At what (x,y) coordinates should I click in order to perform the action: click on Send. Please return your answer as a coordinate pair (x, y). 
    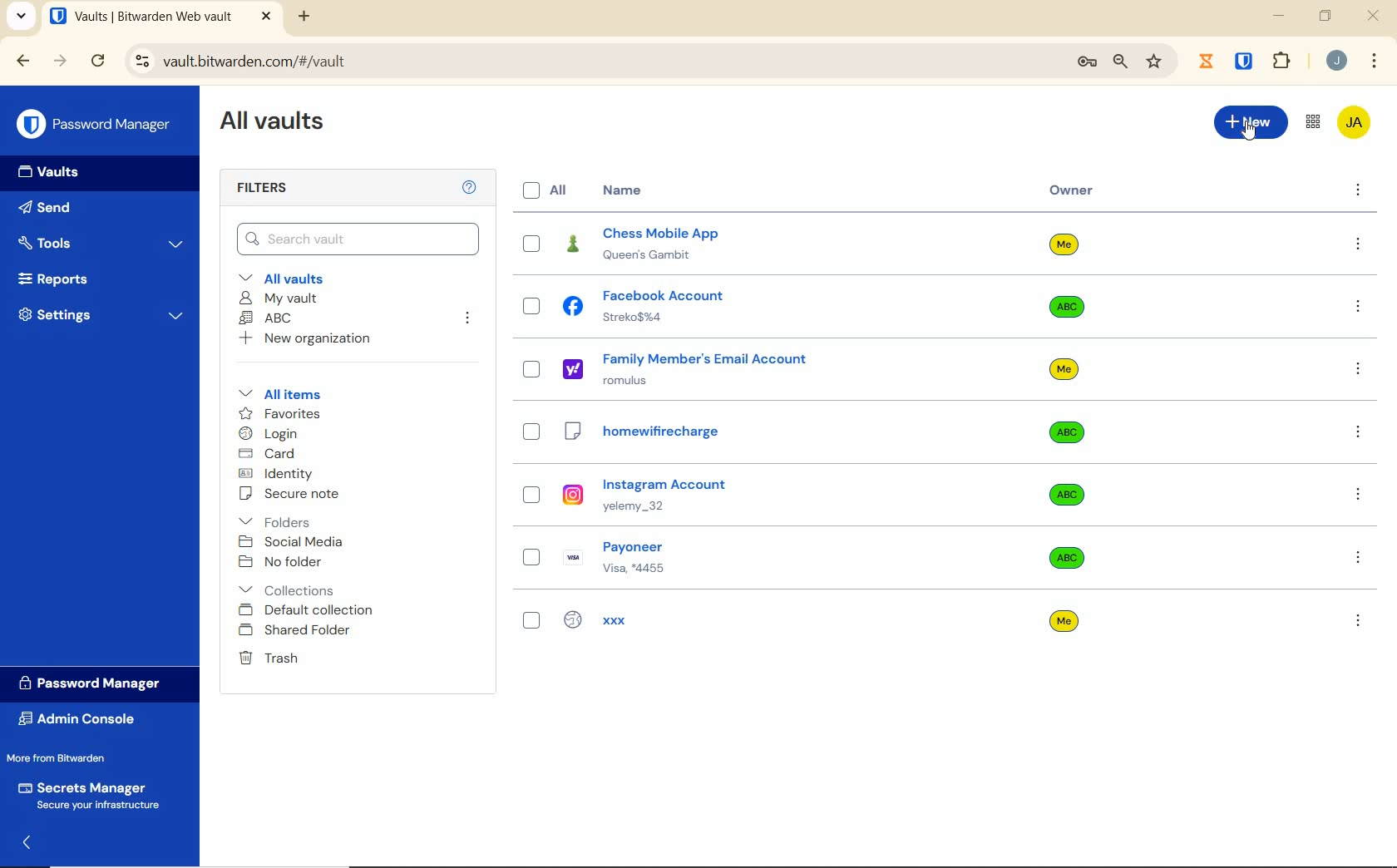
    Looking at the image, I should click on (76, 210).